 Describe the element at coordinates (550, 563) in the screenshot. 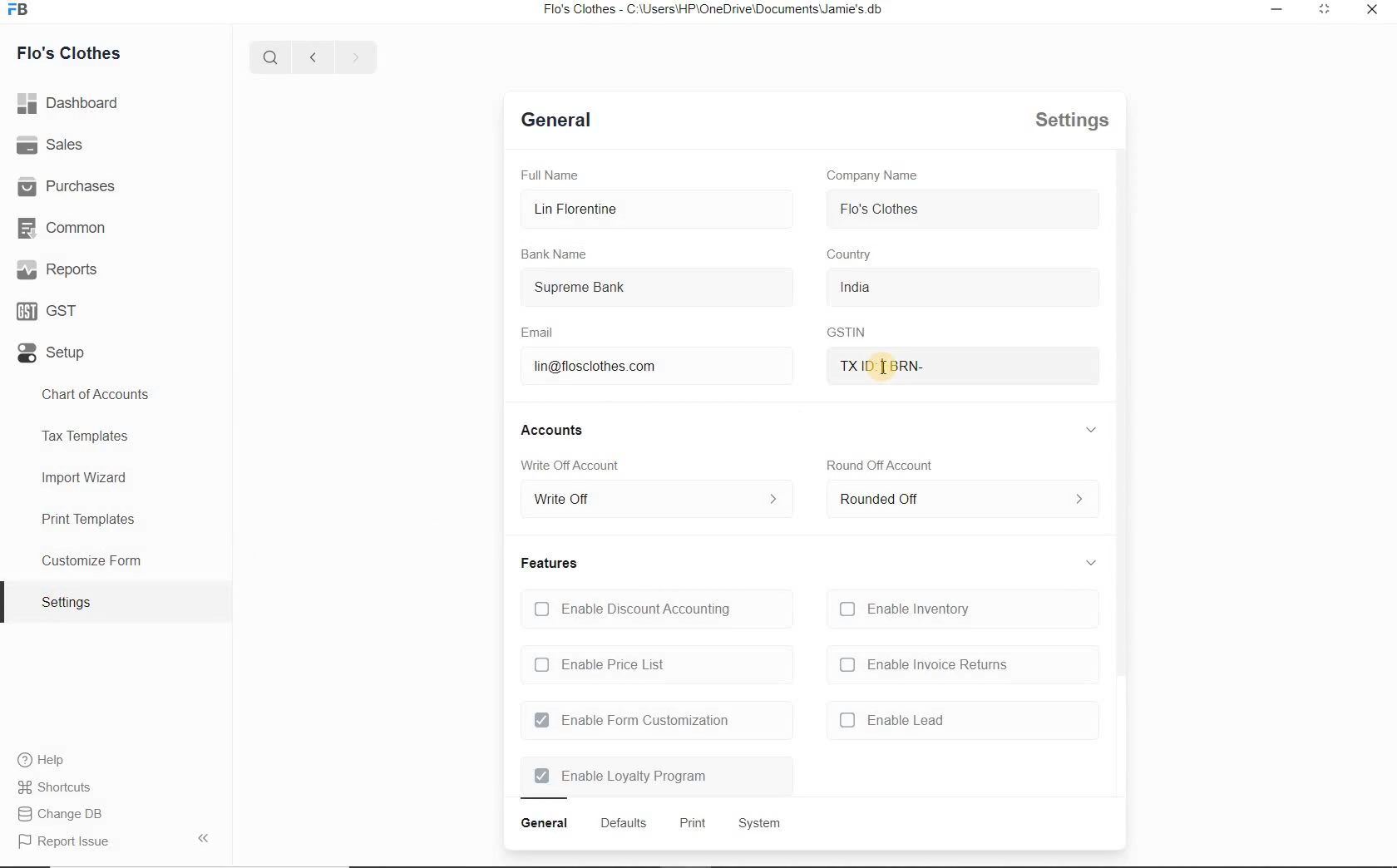

I see `features` at that location.